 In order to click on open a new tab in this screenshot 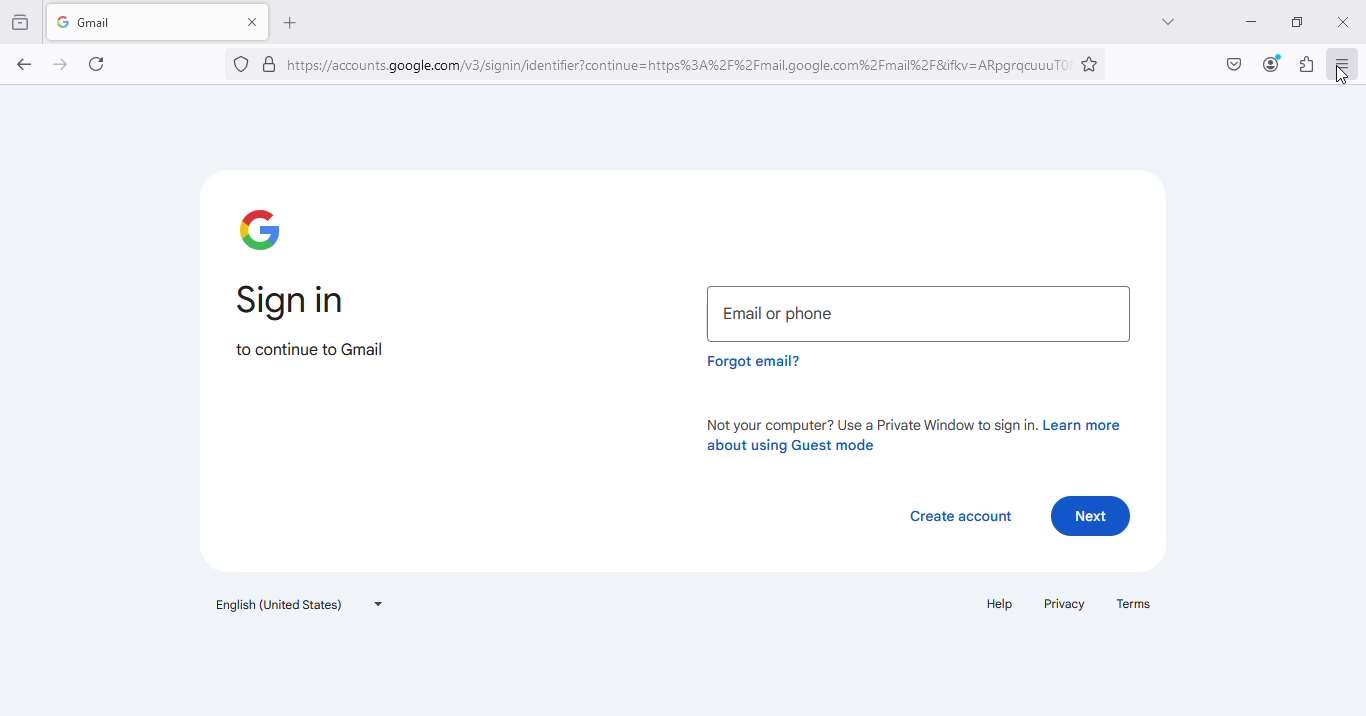, I will do `click(289, 23)`.